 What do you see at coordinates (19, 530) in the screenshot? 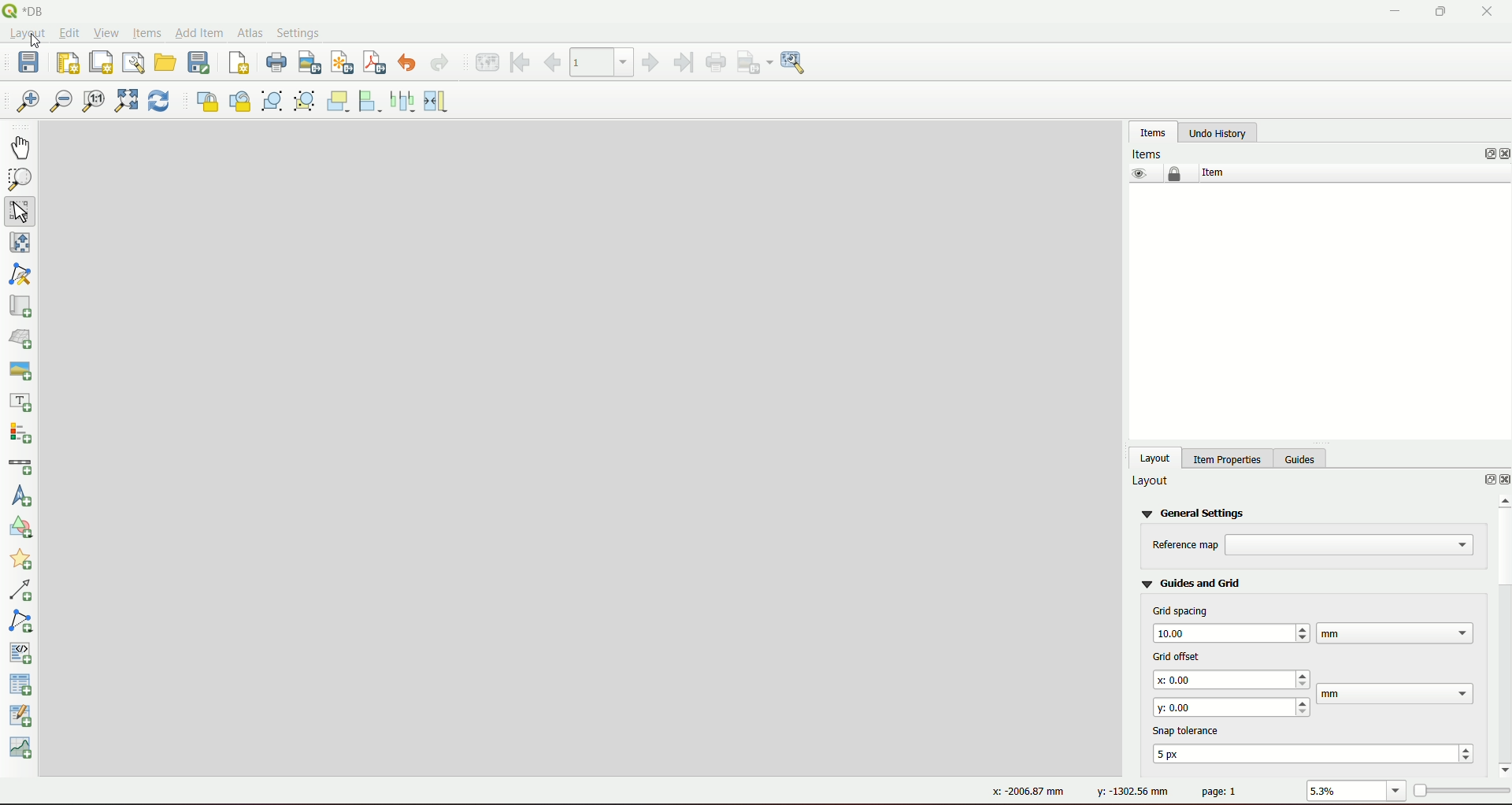
I see `add shape` at bounding box center [19, 530].